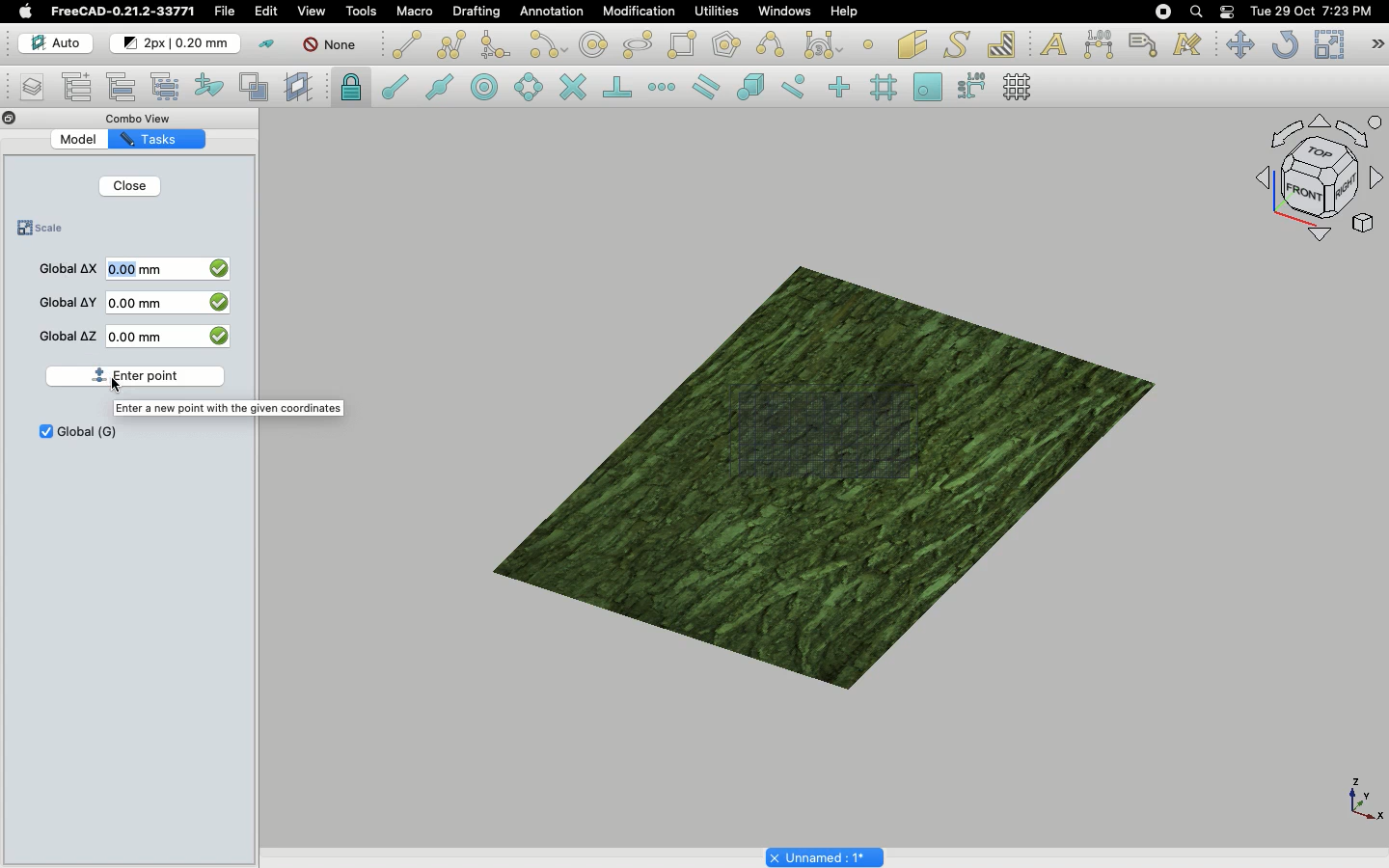 Image resolution: width=1389 pixels, height=868 pixels. Describe the element at coordinates (1315, 181) in the screenshot. I see `Navigation styles` at that location.